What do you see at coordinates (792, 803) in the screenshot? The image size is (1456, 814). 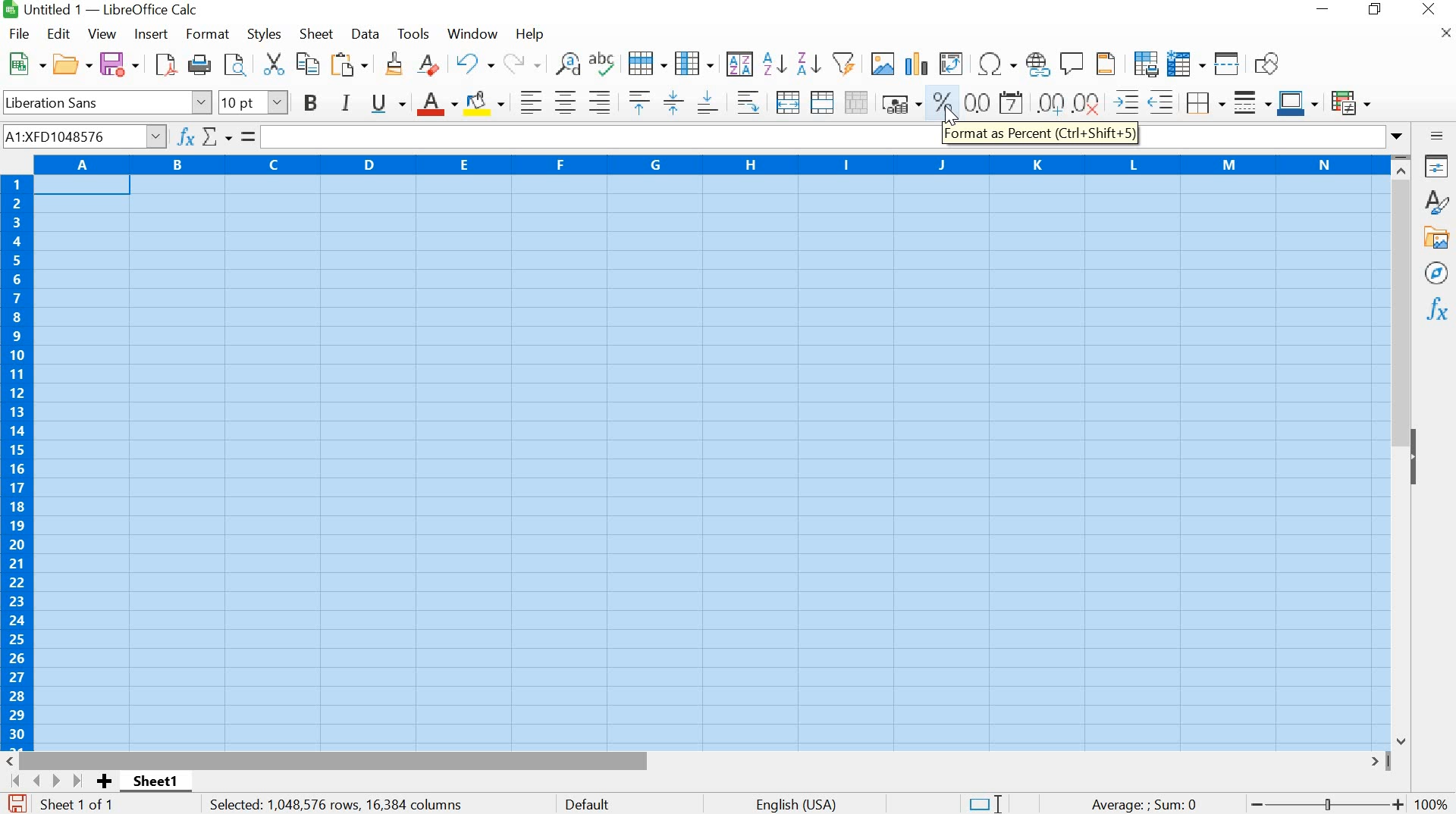 I see `English (USA)` at bounding box center [792, 803].